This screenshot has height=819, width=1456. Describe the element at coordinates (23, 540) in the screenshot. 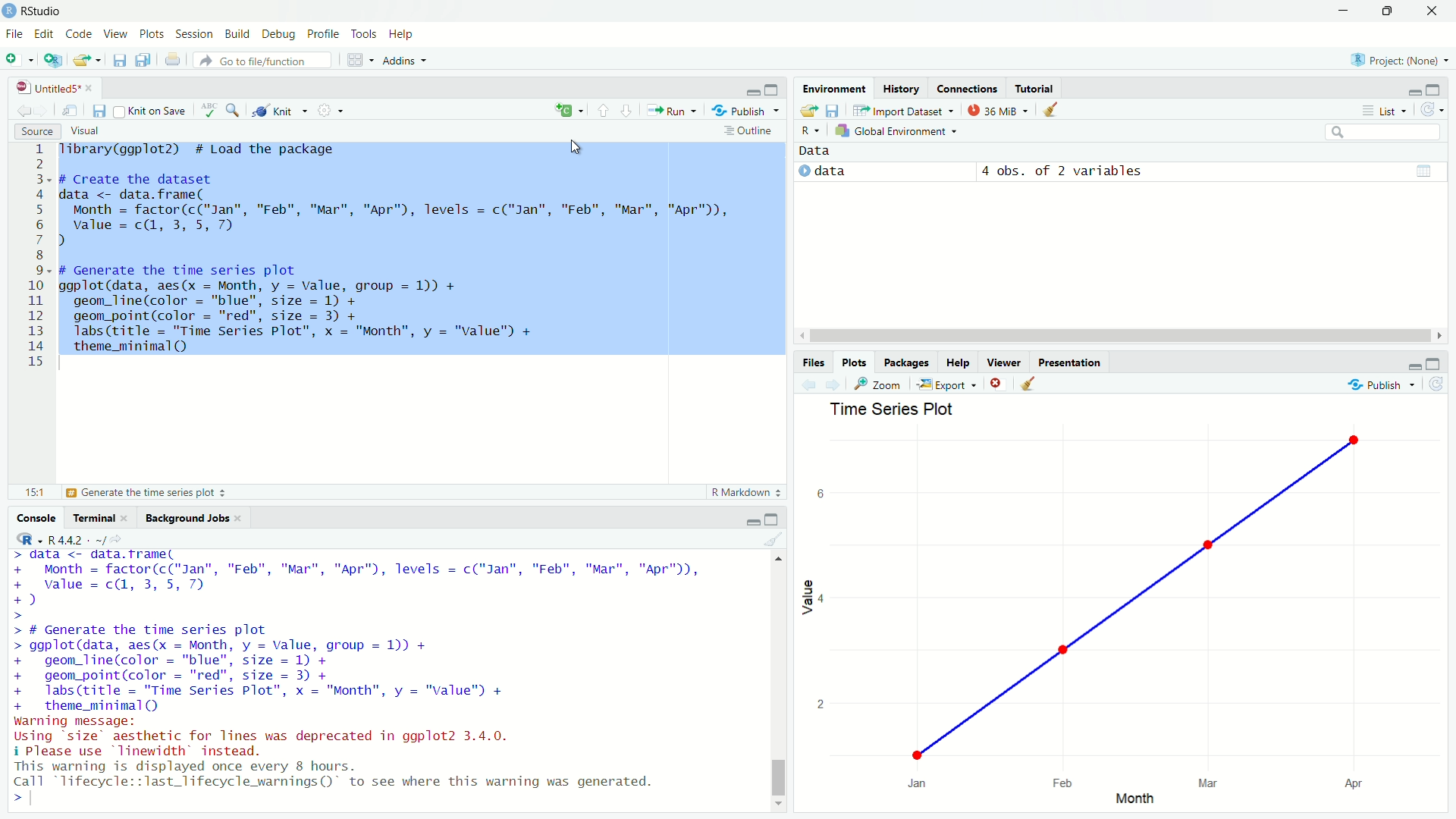

I see `select language` at that location.